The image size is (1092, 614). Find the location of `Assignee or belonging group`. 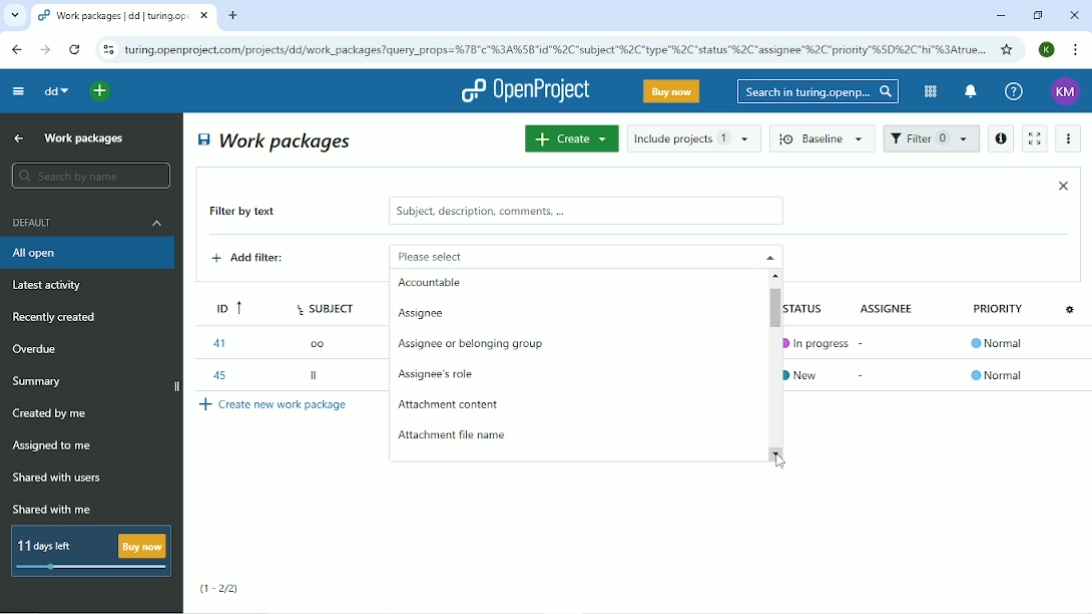

Assignee or belonging group is located at coordinates (471, 344).